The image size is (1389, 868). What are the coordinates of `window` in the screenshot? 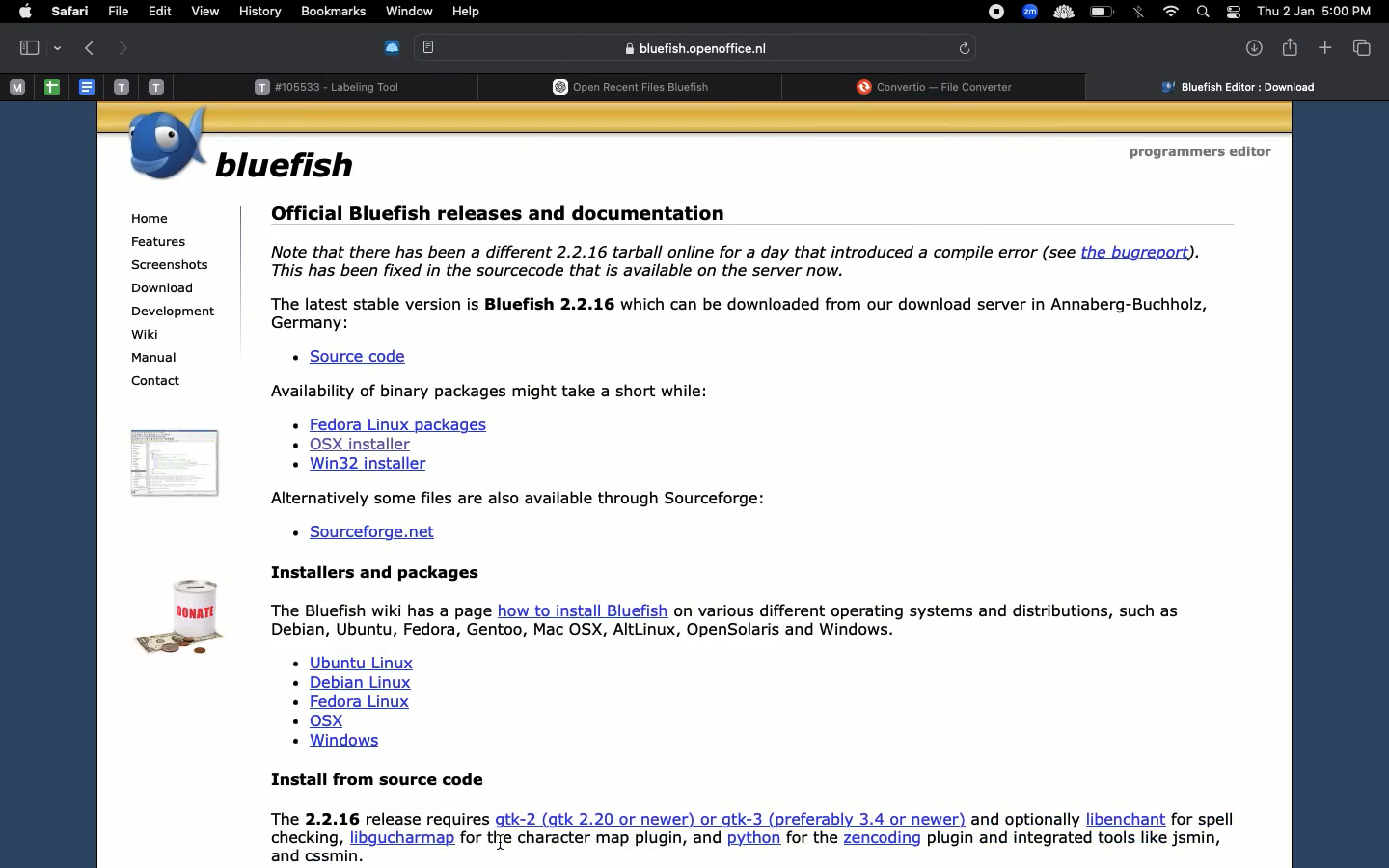 It's located at (617, 10).